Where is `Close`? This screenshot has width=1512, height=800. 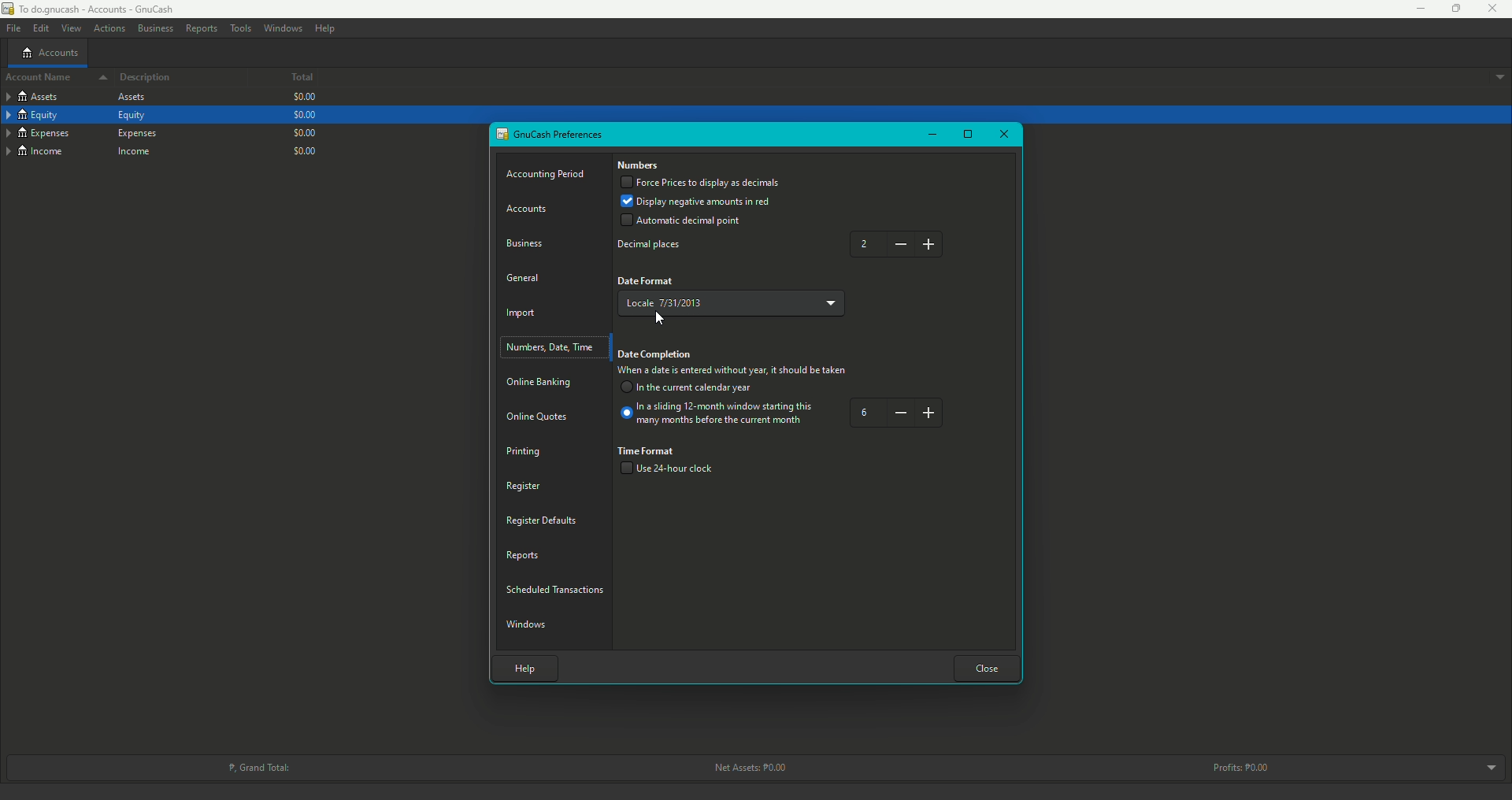 Close is located at coordinates (1493, 9).